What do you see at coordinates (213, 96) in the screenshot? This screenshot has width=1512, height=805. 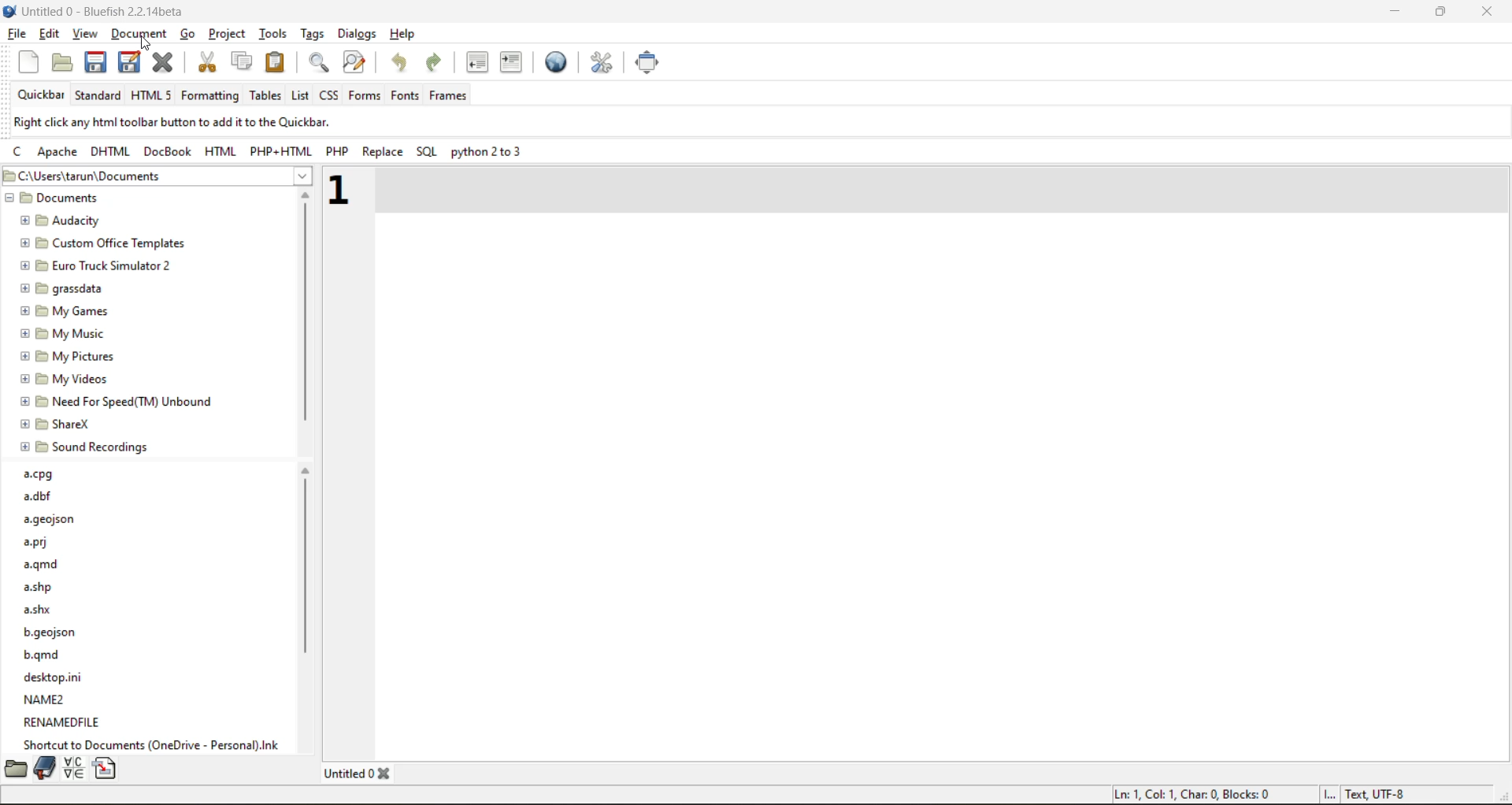 I see `formatting` at bounding box center [213, 96].